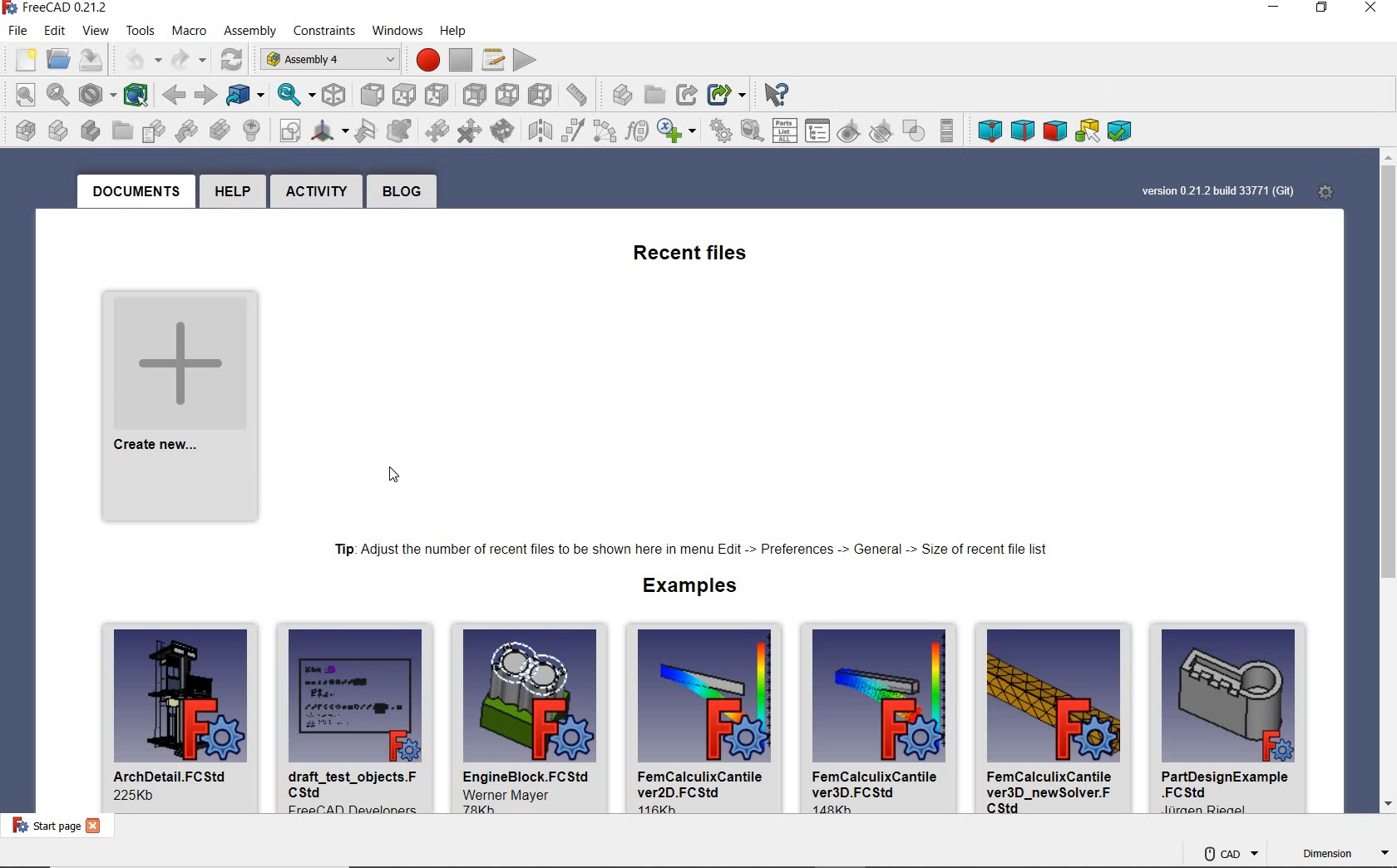 The image size is (1397, 868). I want to click on minimize, so click(1272, 8).